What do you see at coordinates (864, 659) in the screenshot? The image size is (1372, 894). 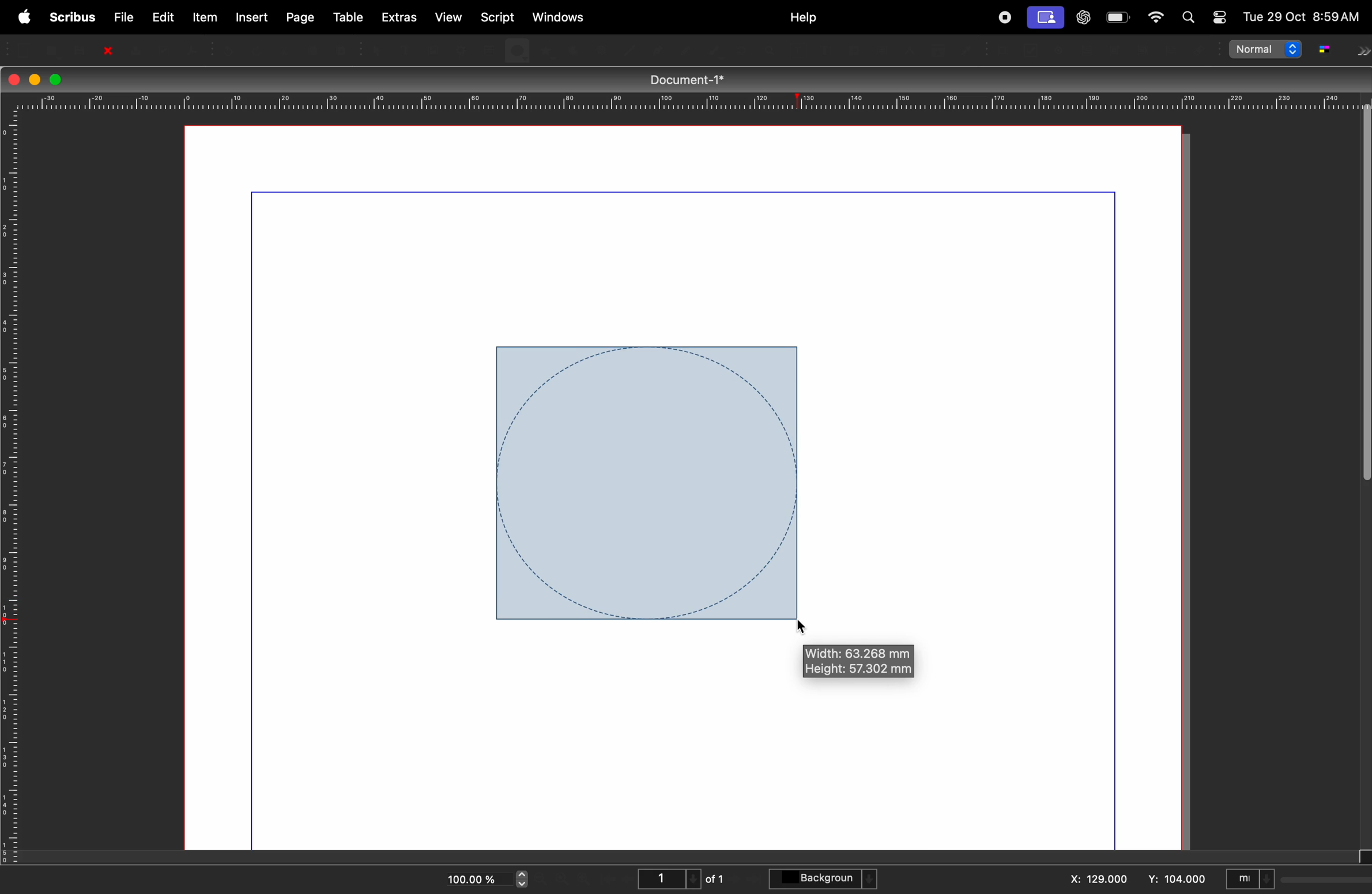 I see `Width: 63.268 mm
Height: 57.302 mm` at bounding box center [864, 659].